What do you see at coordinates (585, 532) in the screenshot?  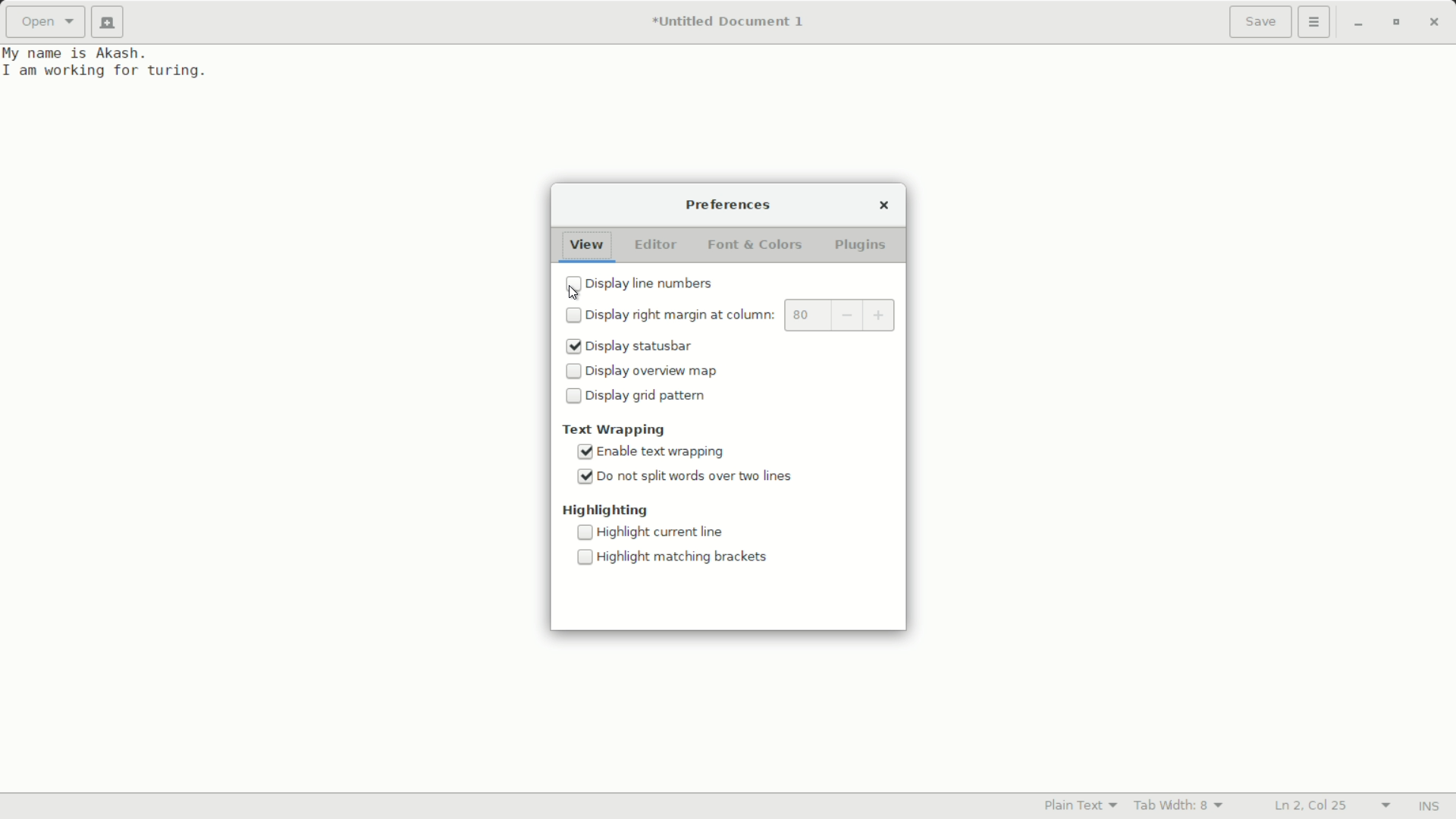 I see `checkbox` at bounding box center [585, 532].